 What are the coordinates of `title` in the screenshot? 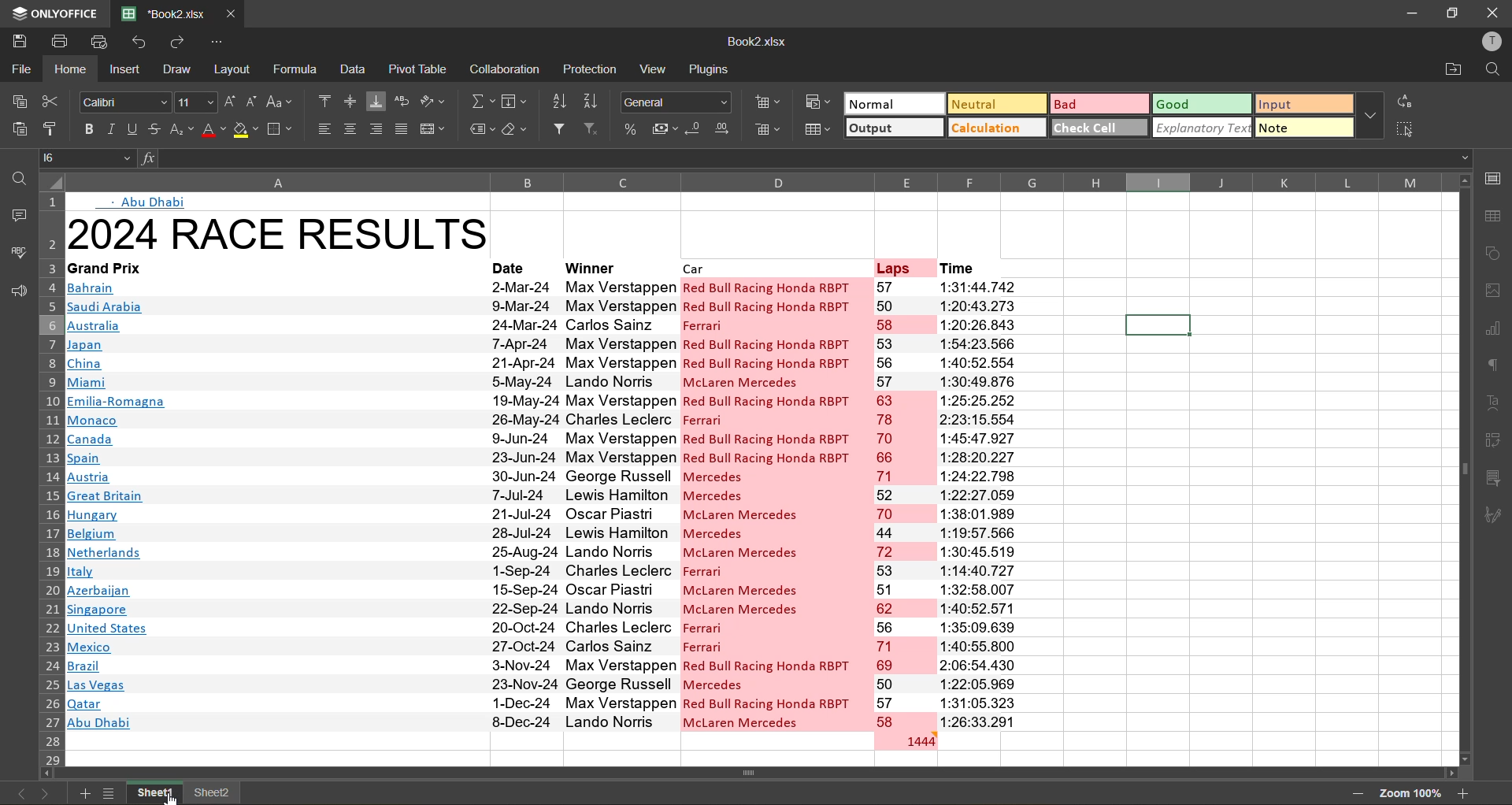 It's located at (276, 230).